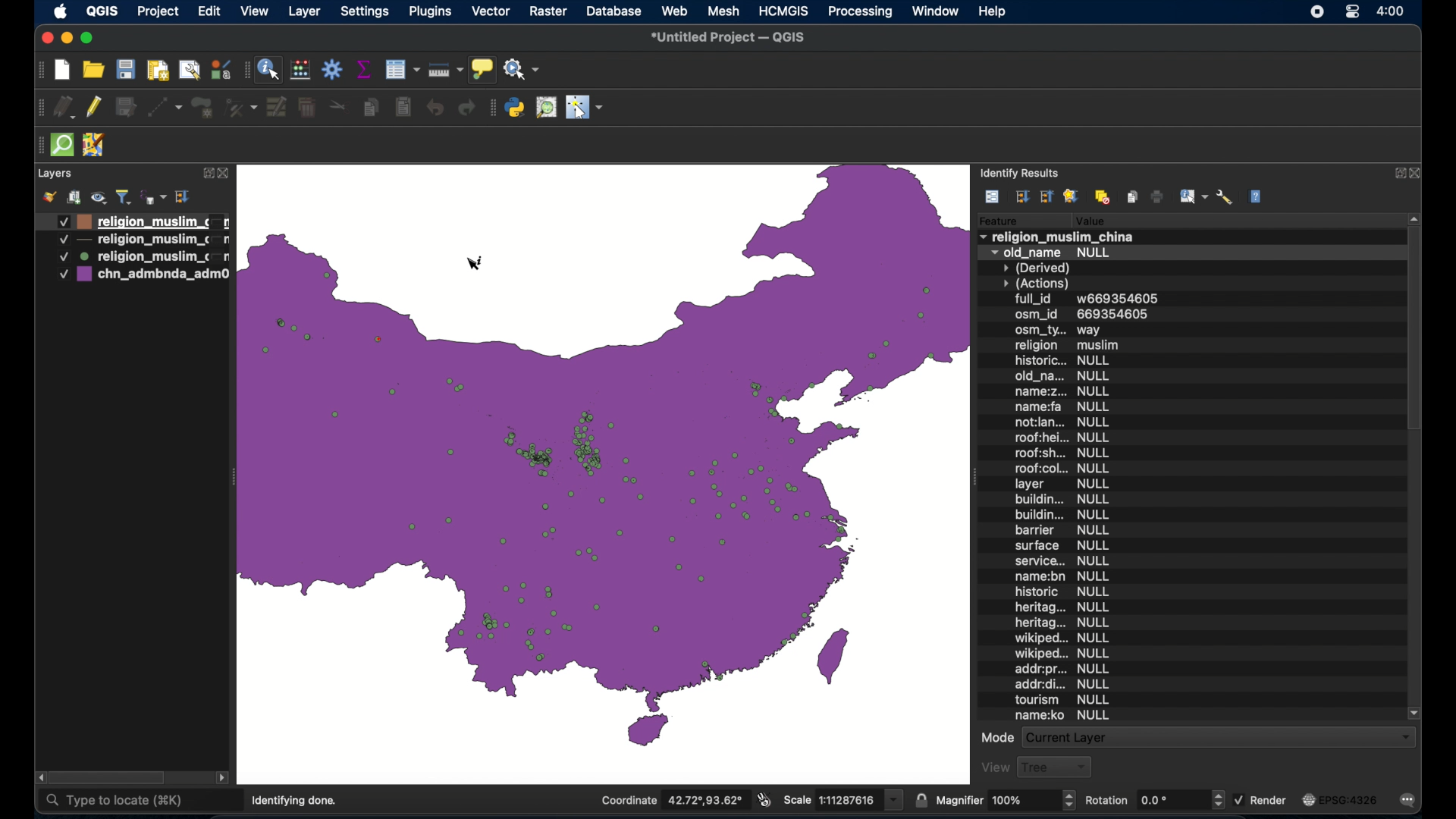  I want to click on layer 4, so click(143, 276).